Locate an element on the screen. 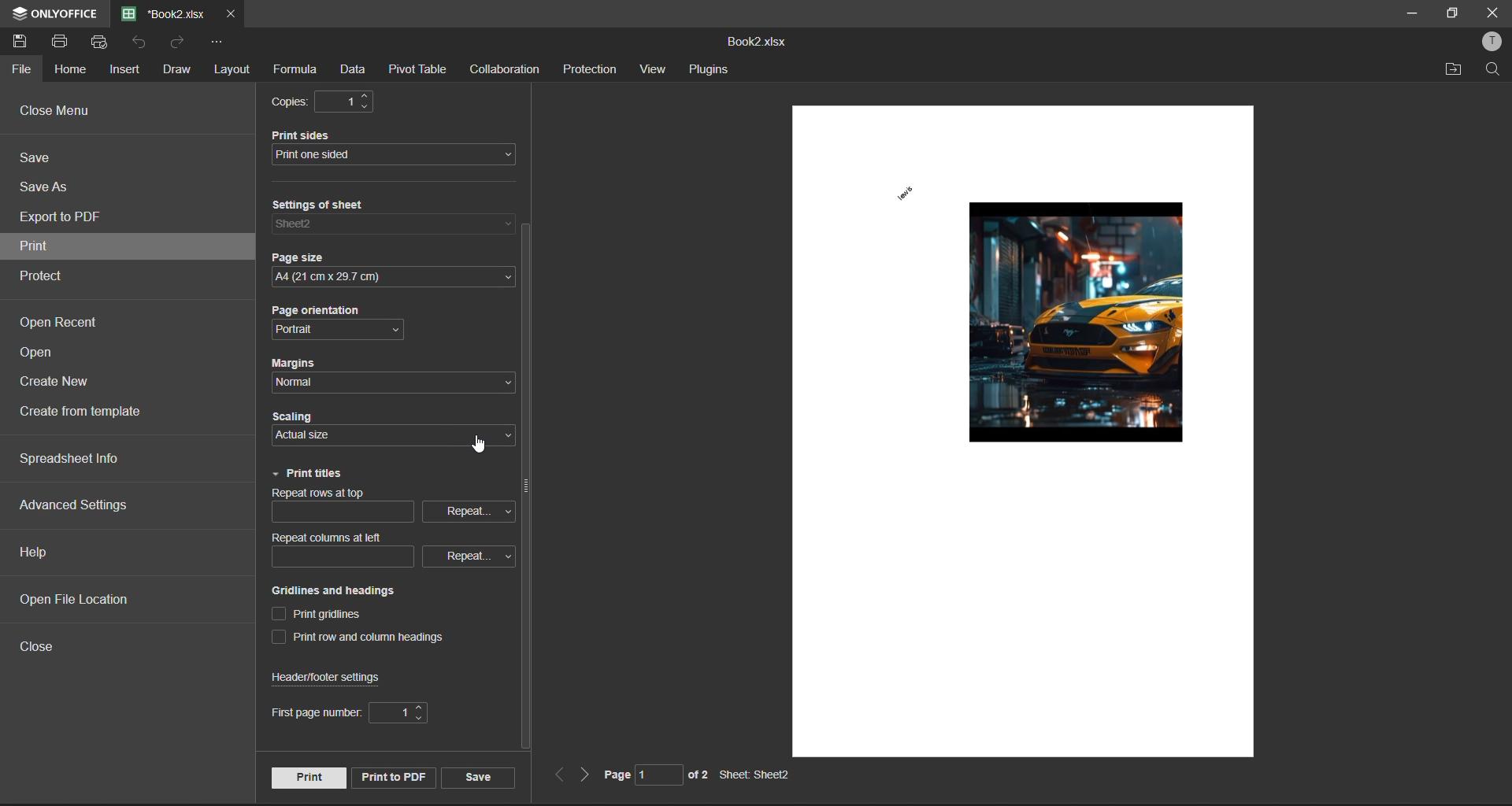 The image size is (1512, 806). close menu is located at coordinates (61, 113).